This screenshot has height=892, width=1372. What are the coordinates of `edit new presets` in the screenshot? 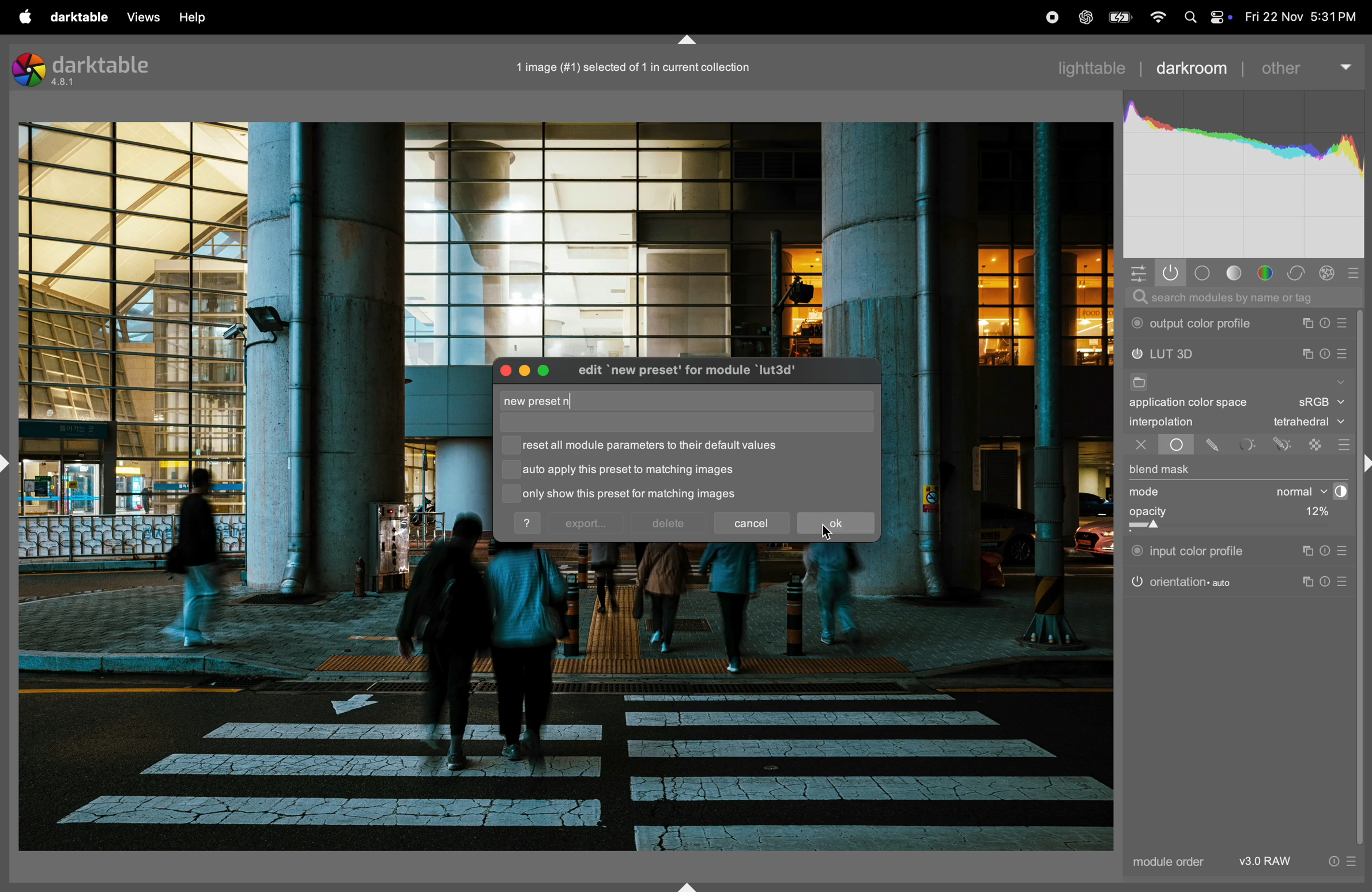 It's located at (701, 372).